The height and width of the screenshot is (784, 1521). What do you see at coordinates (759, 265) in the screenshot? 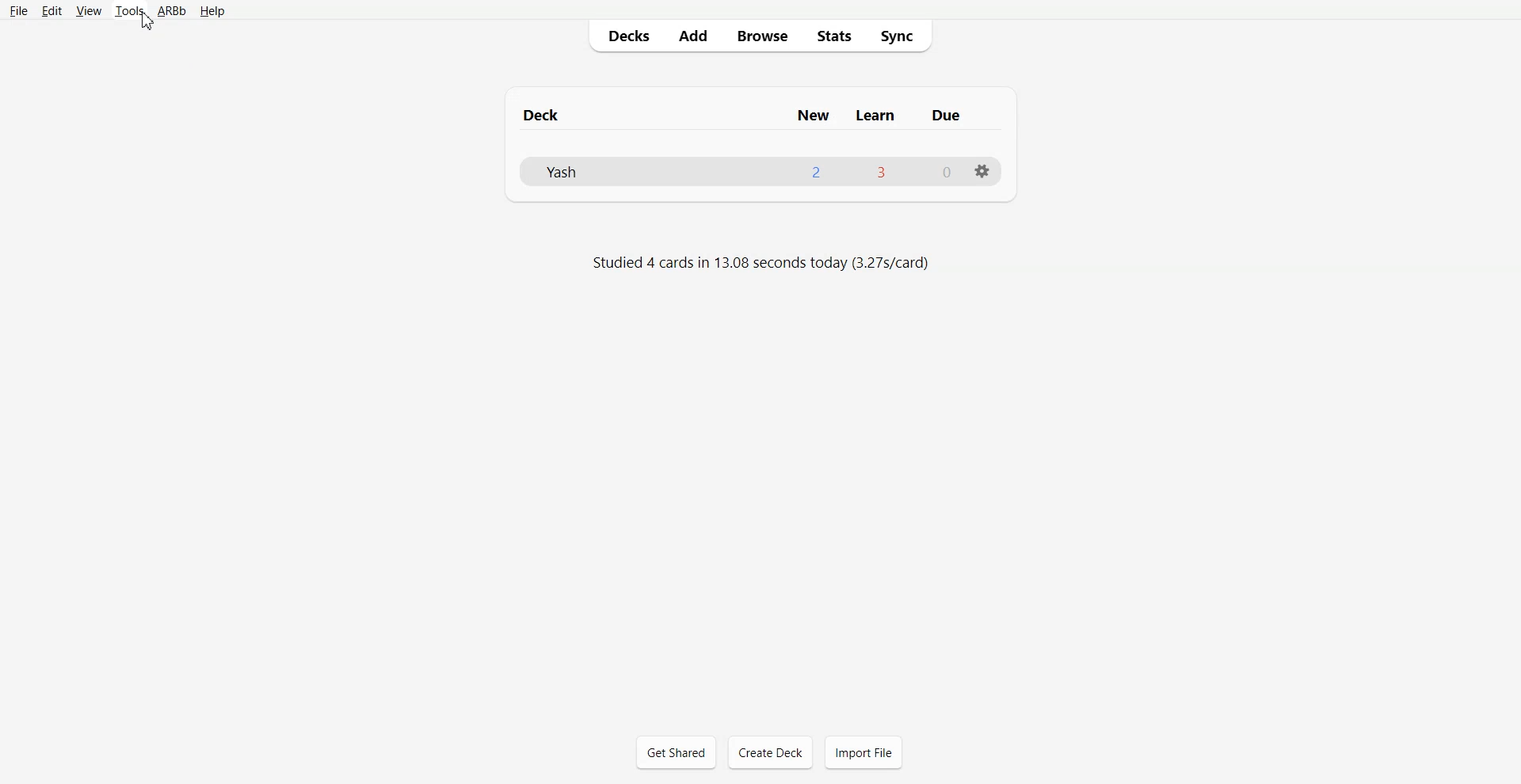
I see `Text 2` at bounding box center [759, 265].